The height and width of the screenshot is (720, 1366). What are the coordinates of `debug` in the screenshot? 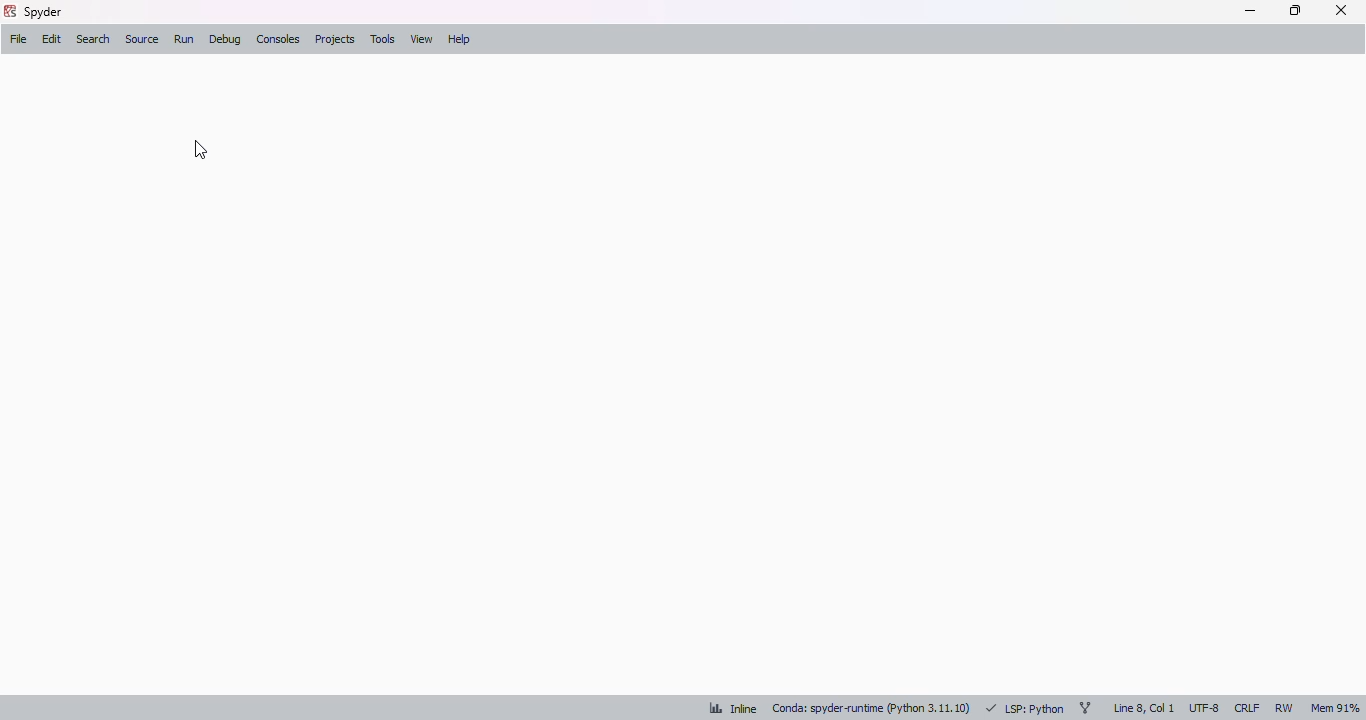 It's located at (226, 40).